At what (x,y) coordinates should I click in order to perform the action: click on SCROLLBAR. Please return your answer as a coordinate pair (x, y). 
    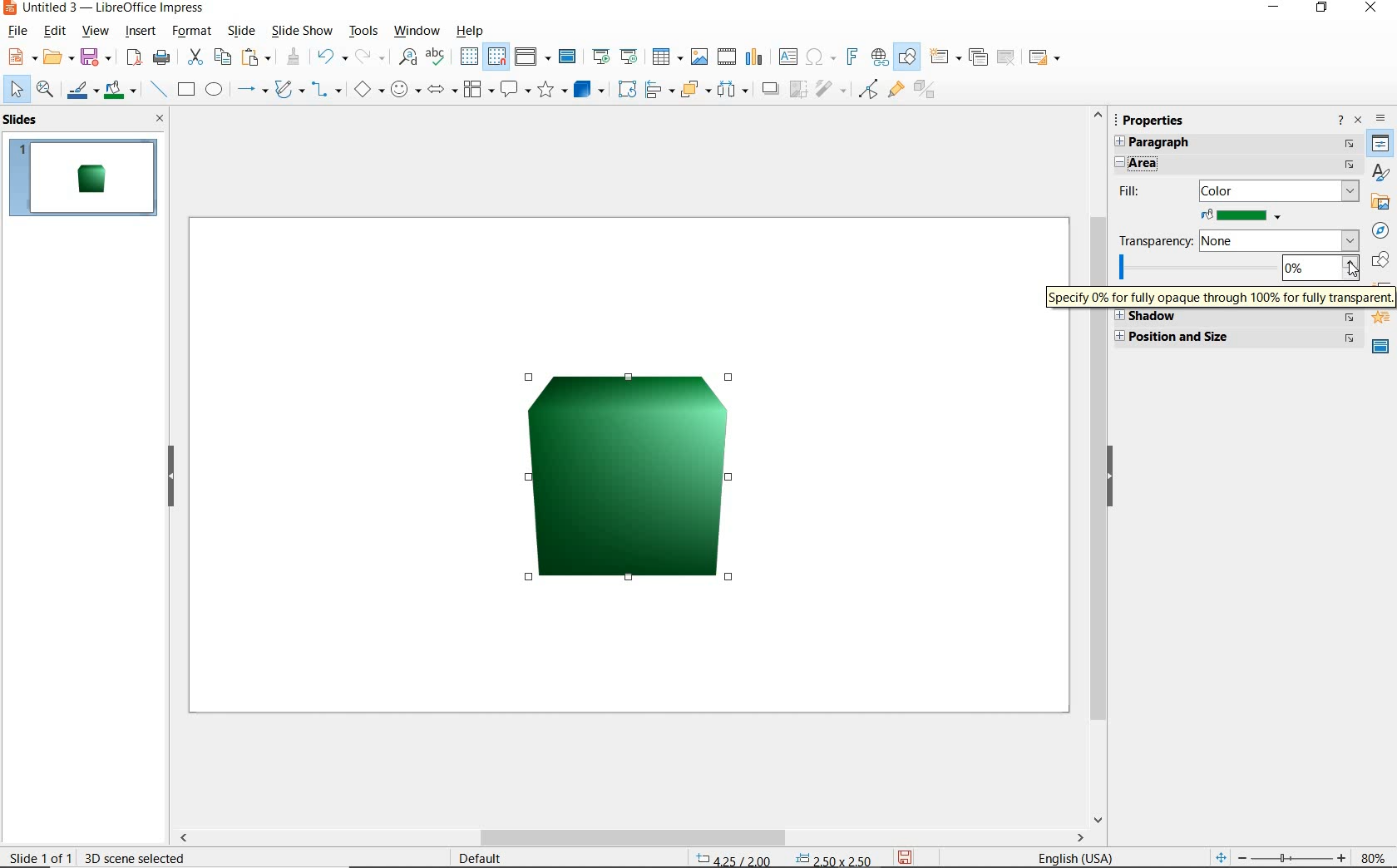
    Looking at the image, I should click on (753, 839).